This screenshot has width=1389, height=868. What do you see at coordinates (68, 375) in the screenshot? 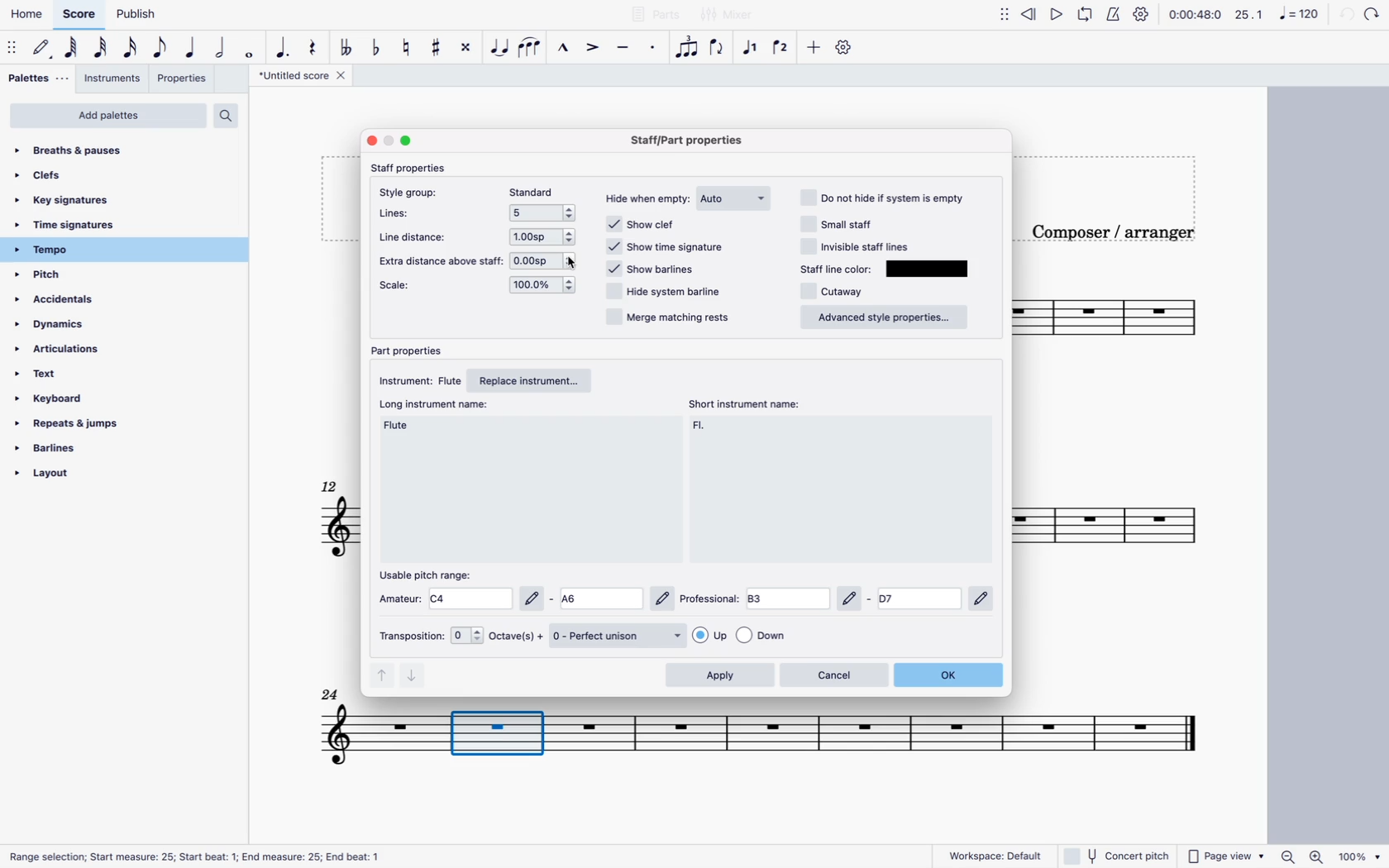
I see `text` at bounding box center [68, 375].